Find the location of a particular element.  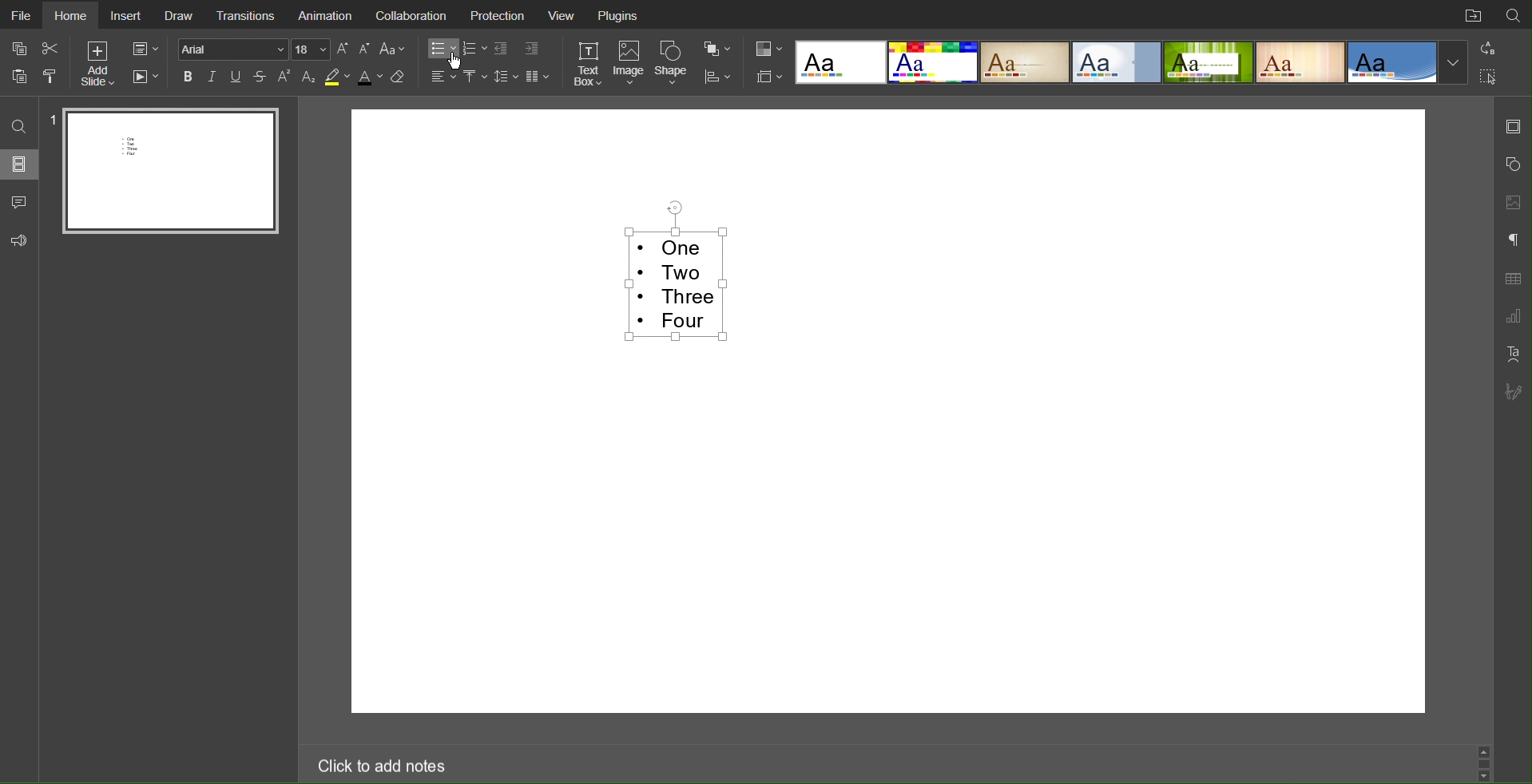

Slide Size is located at coordinates (767, 76).